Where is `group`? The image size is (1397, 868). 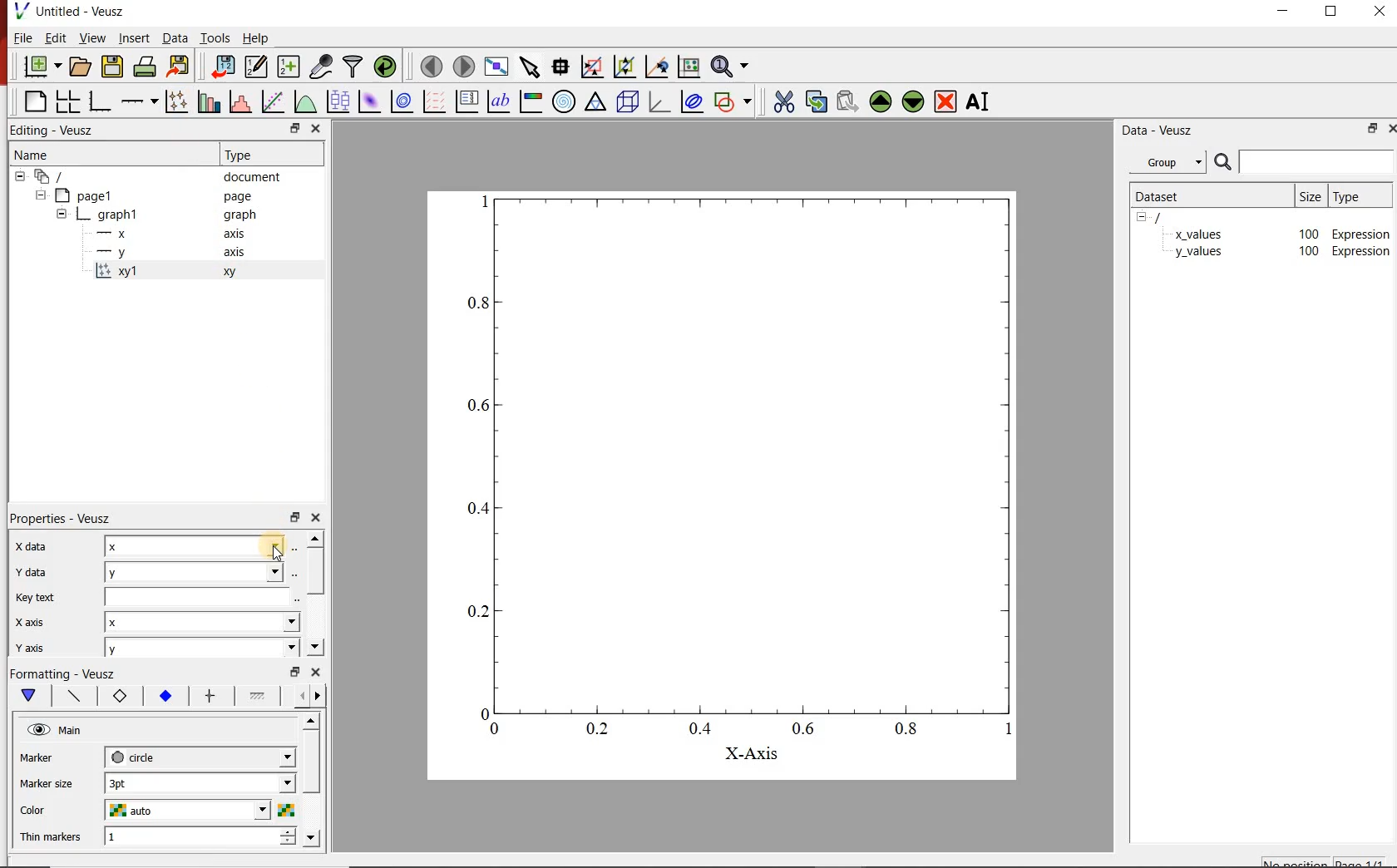
group is located at coordinates (1165, 162).